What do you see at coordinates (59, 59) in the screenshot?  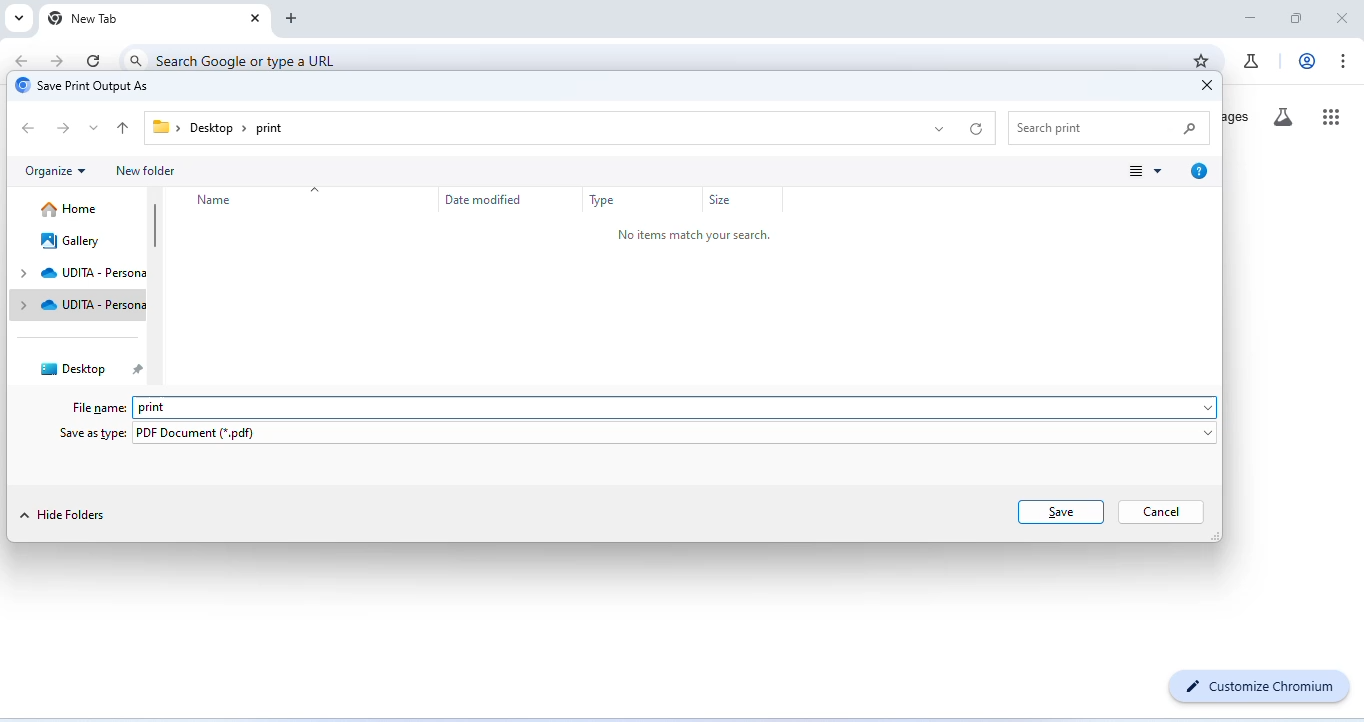 I see `go forward` at bounding box center [59, 59].